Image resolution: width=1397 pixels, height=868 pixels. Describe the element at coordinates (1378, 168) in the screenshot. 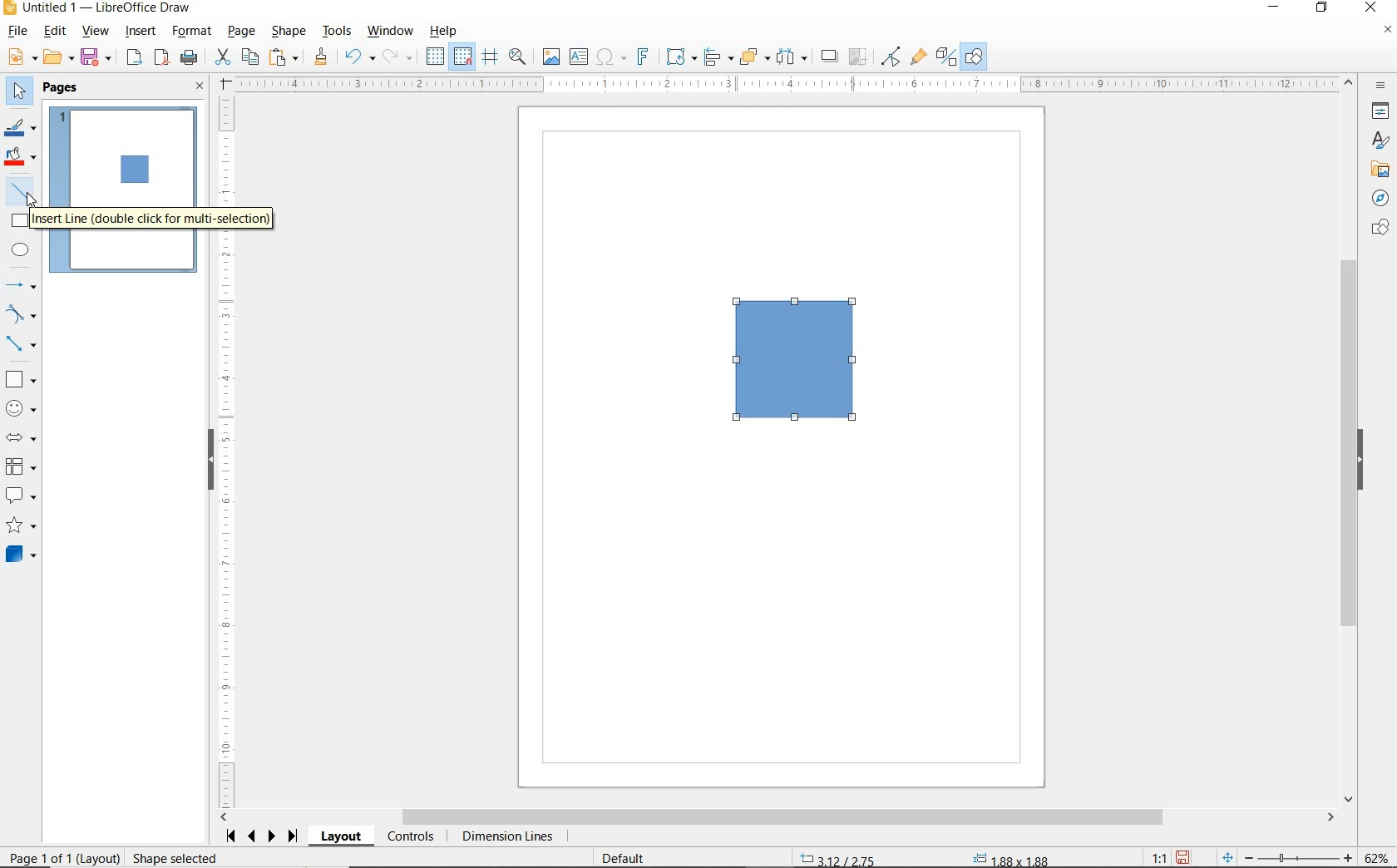

I see `GALLERY` at that location.